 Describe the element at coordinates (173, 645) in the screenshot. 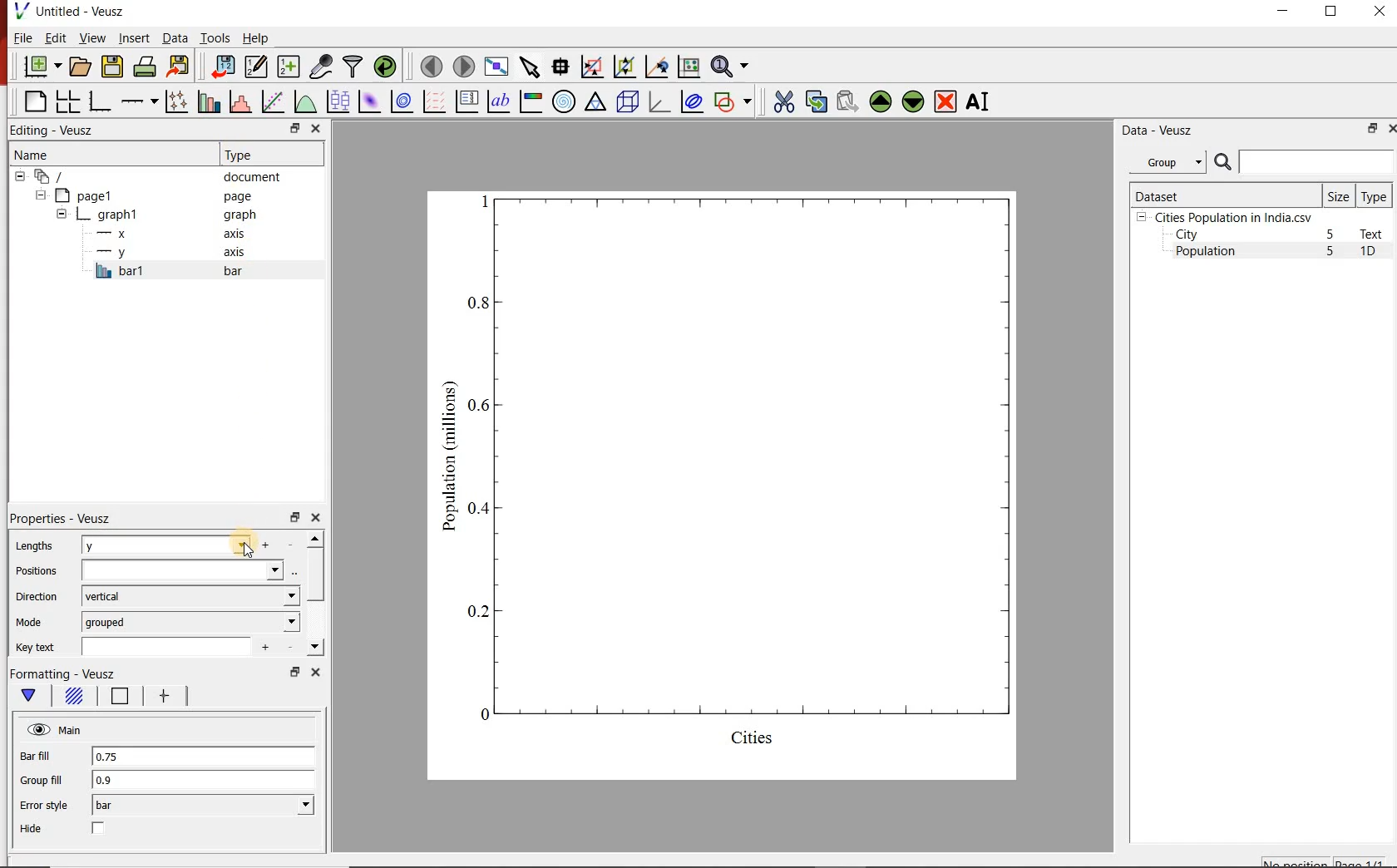

I see `input field` at that location.